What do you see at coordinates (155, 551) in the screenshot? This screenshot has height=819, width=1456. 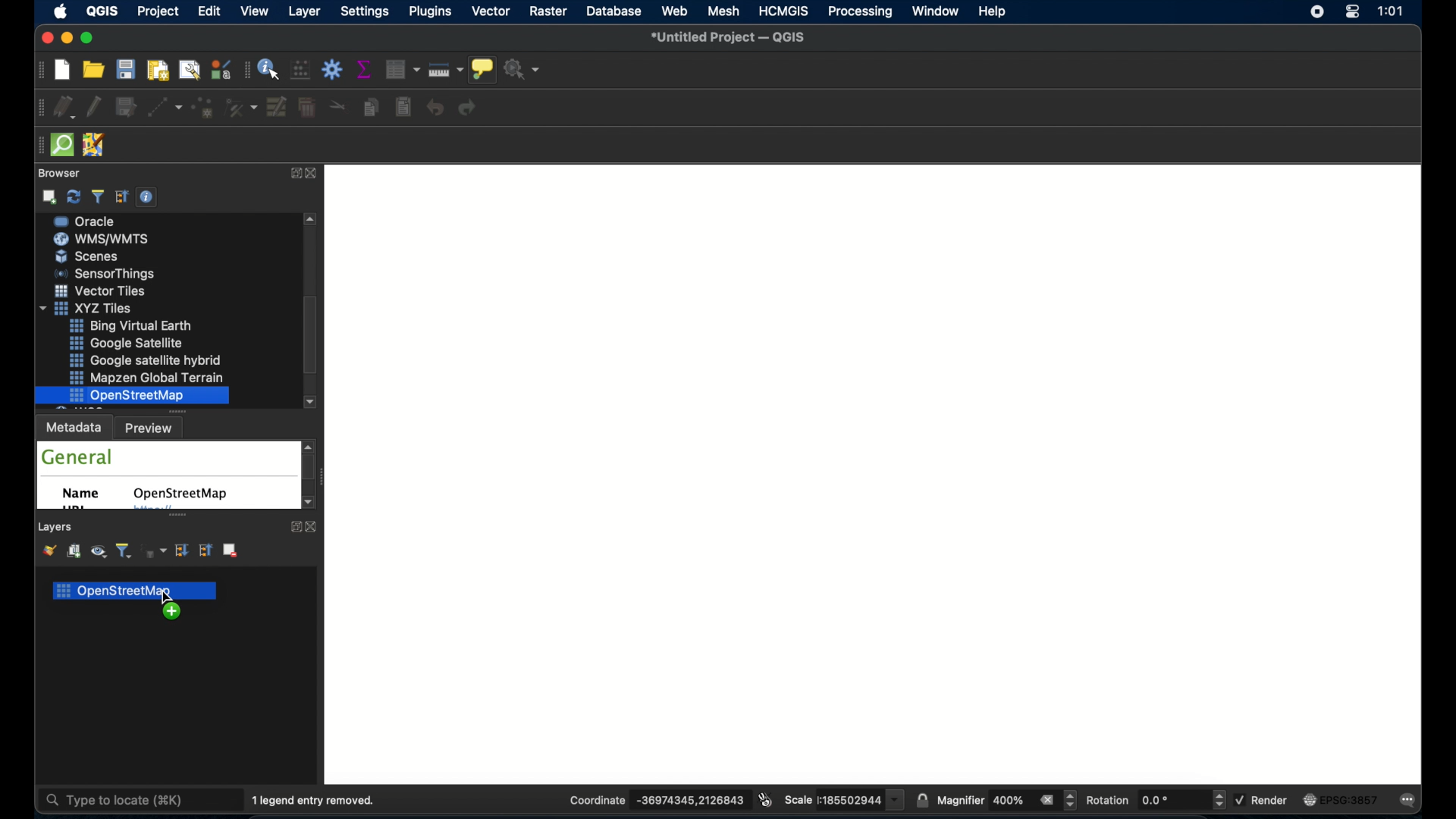 I see `filter legend by expression ` at bounding box center [155, 551].